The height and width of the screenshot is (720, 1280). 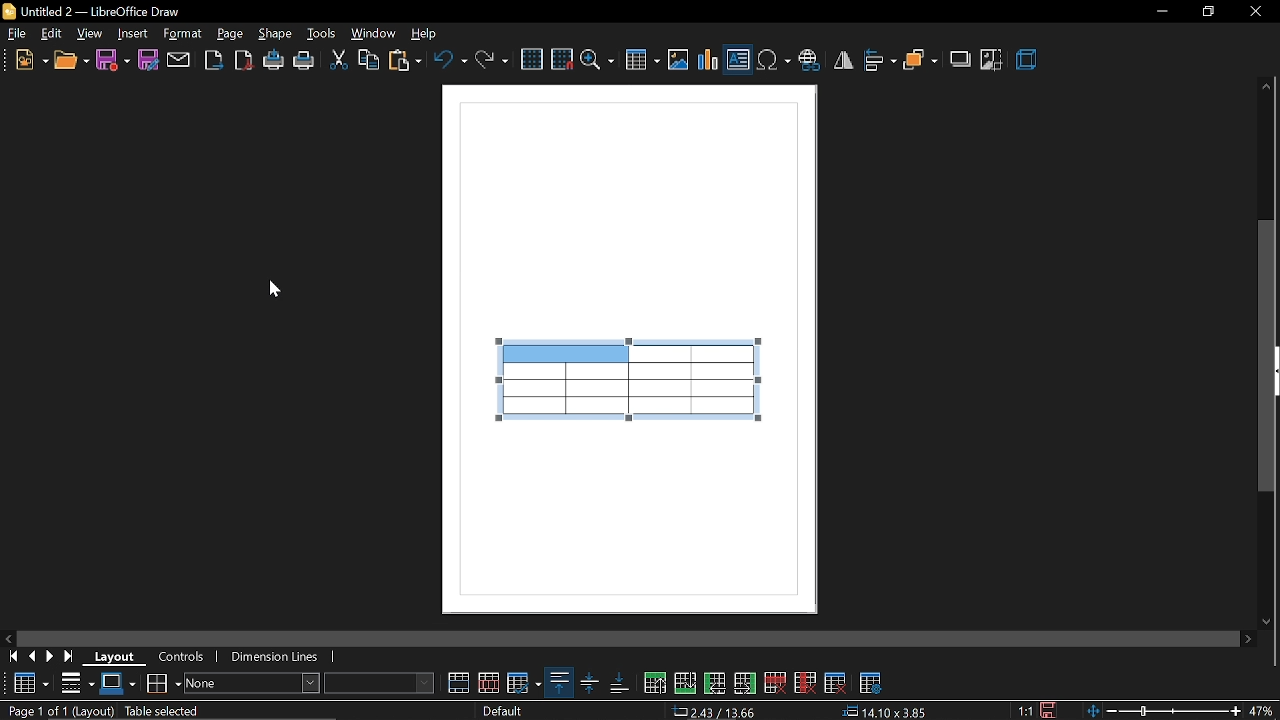 What do you see at coordinates (51, 656) in the screenshot?
I see `next page` at bounding box center [51, 656].